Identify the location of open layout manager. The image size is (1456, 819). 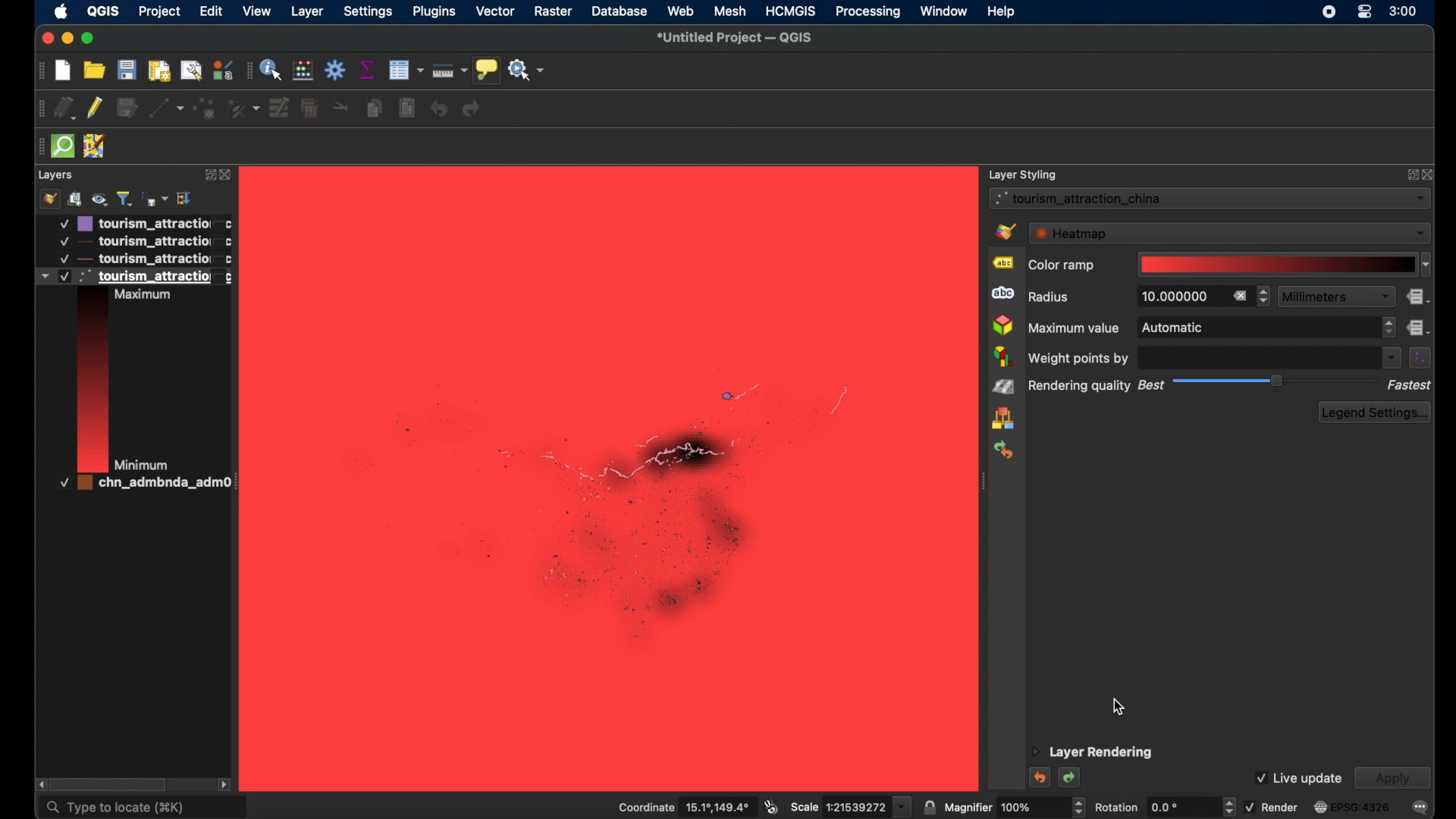
(191, 71).